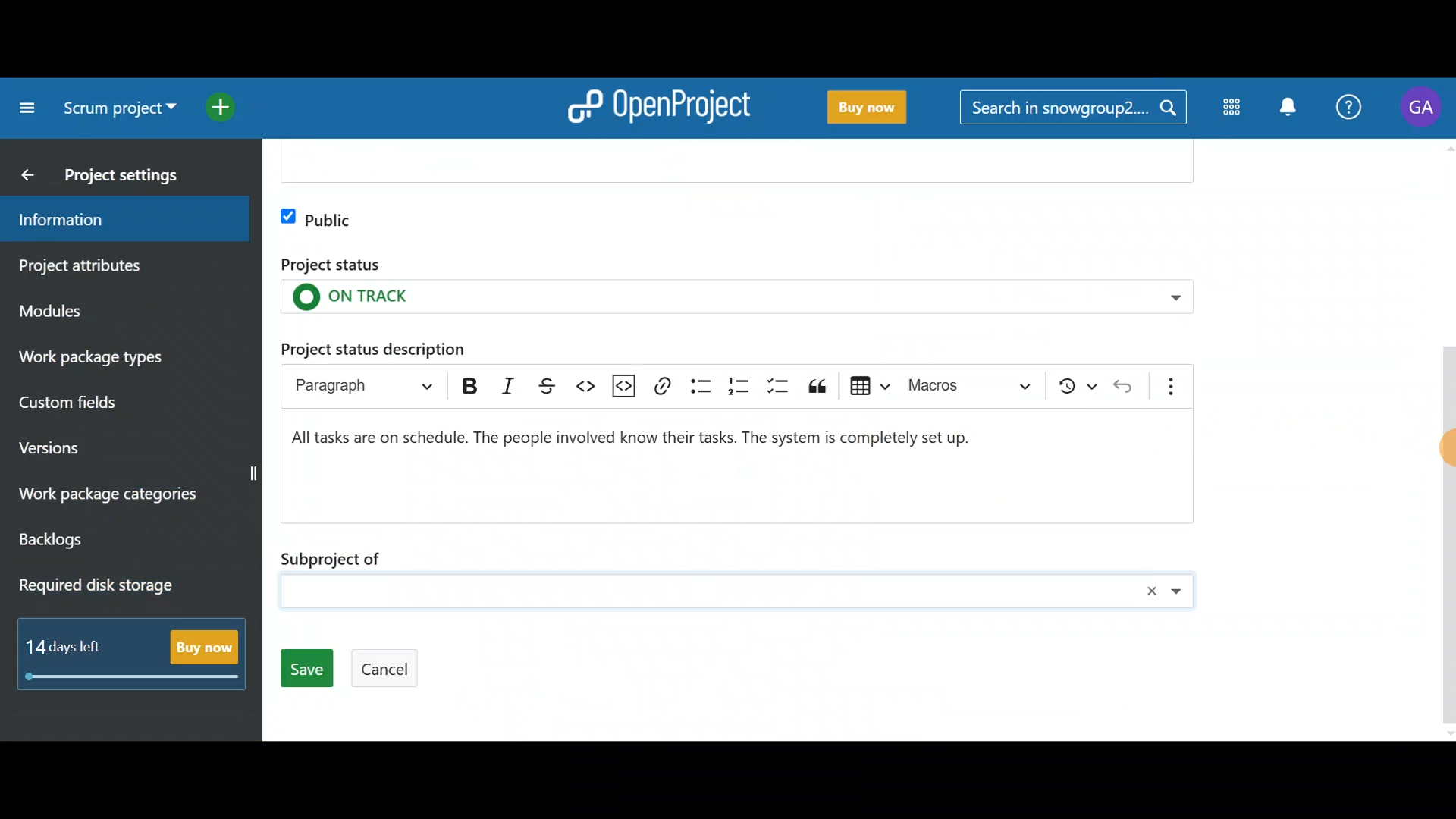 The height and width of the screenshot is (819, 1456). What do you see at coordinates (1351, 105) in the screenshot?
I see `Help` at bounding box center [1351, 105].